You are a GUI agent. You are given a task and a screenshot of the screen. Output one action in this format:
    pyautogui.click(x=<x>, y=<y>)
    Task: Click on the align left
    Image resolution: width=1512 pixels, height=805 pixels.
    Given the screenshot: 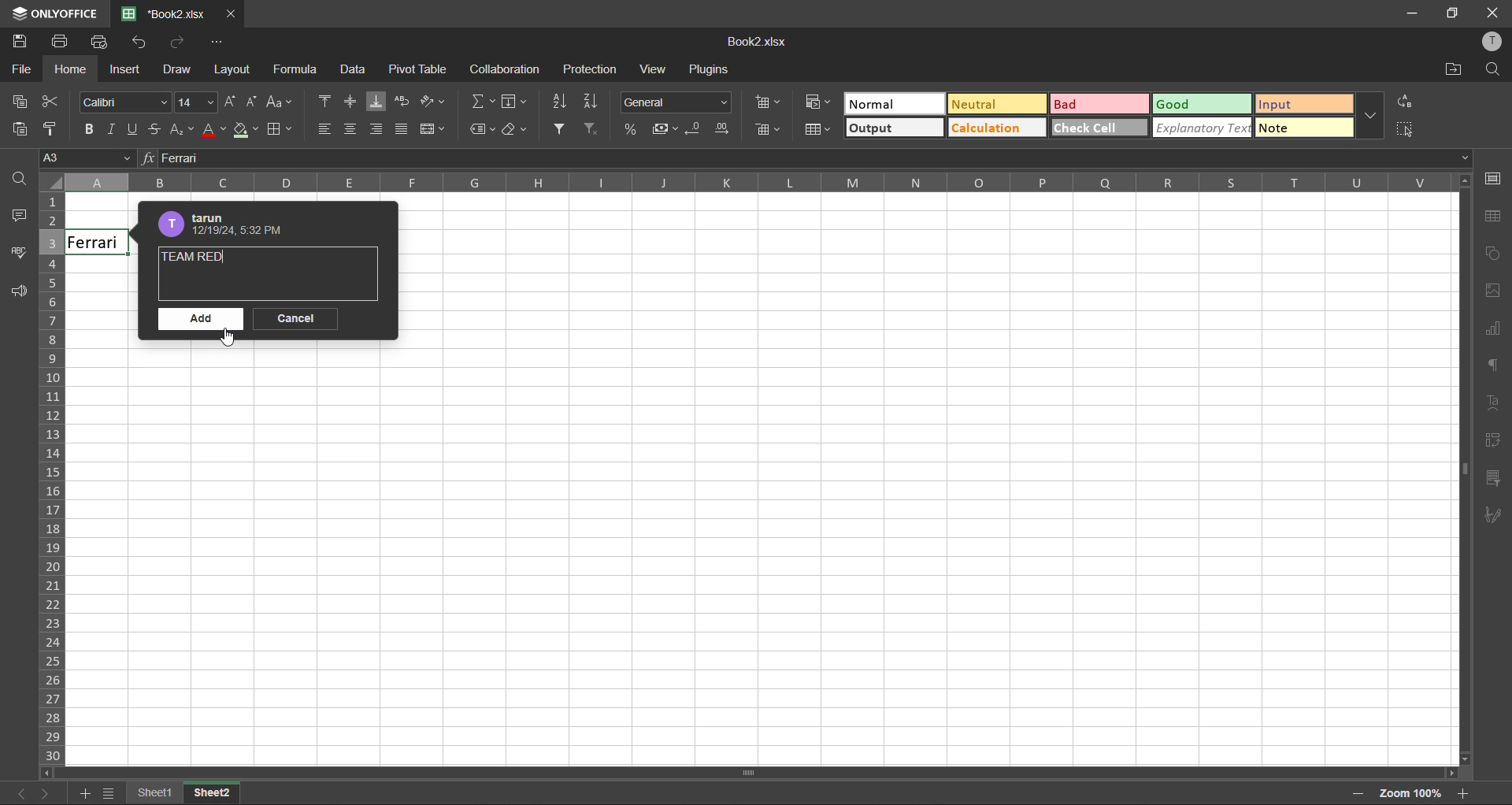 What is the action you would take?
    pyautogui.click(x=325, y=129)
    